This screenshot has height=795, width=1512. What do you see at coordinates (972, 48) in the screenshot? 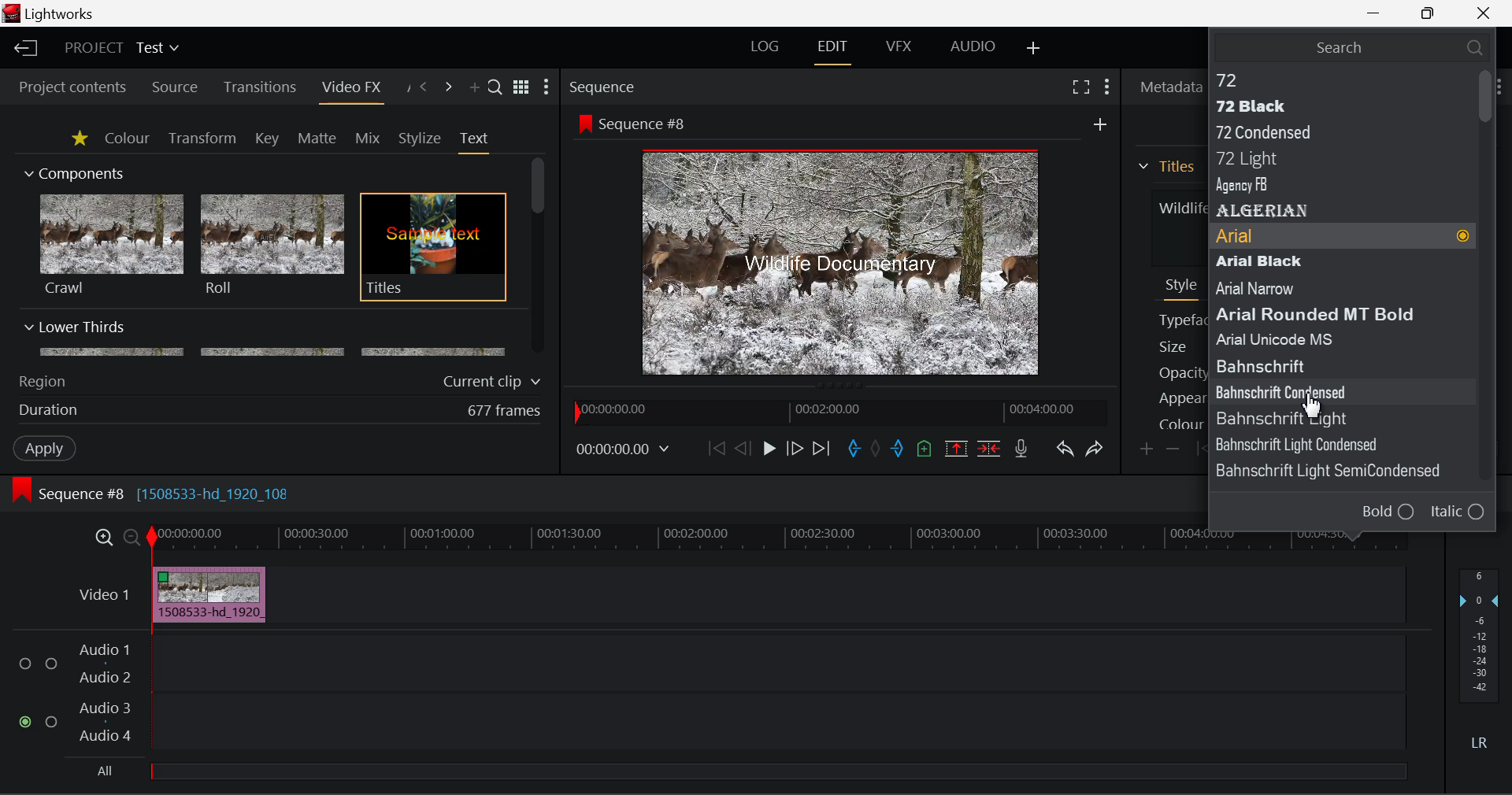
I see `AUDIO Layout` at bounding box center [972, 48].